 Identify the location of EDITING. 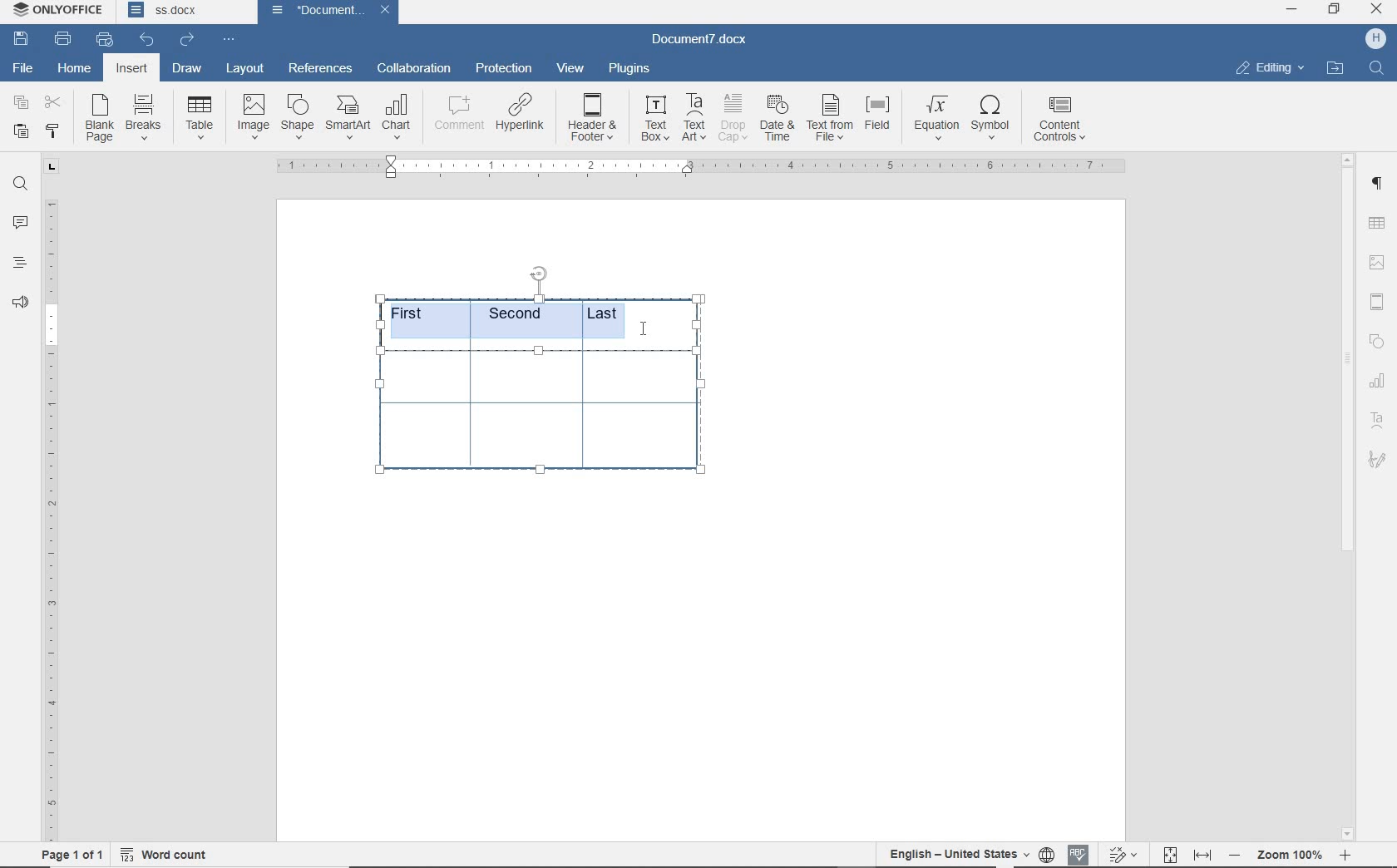
(1268, 67).